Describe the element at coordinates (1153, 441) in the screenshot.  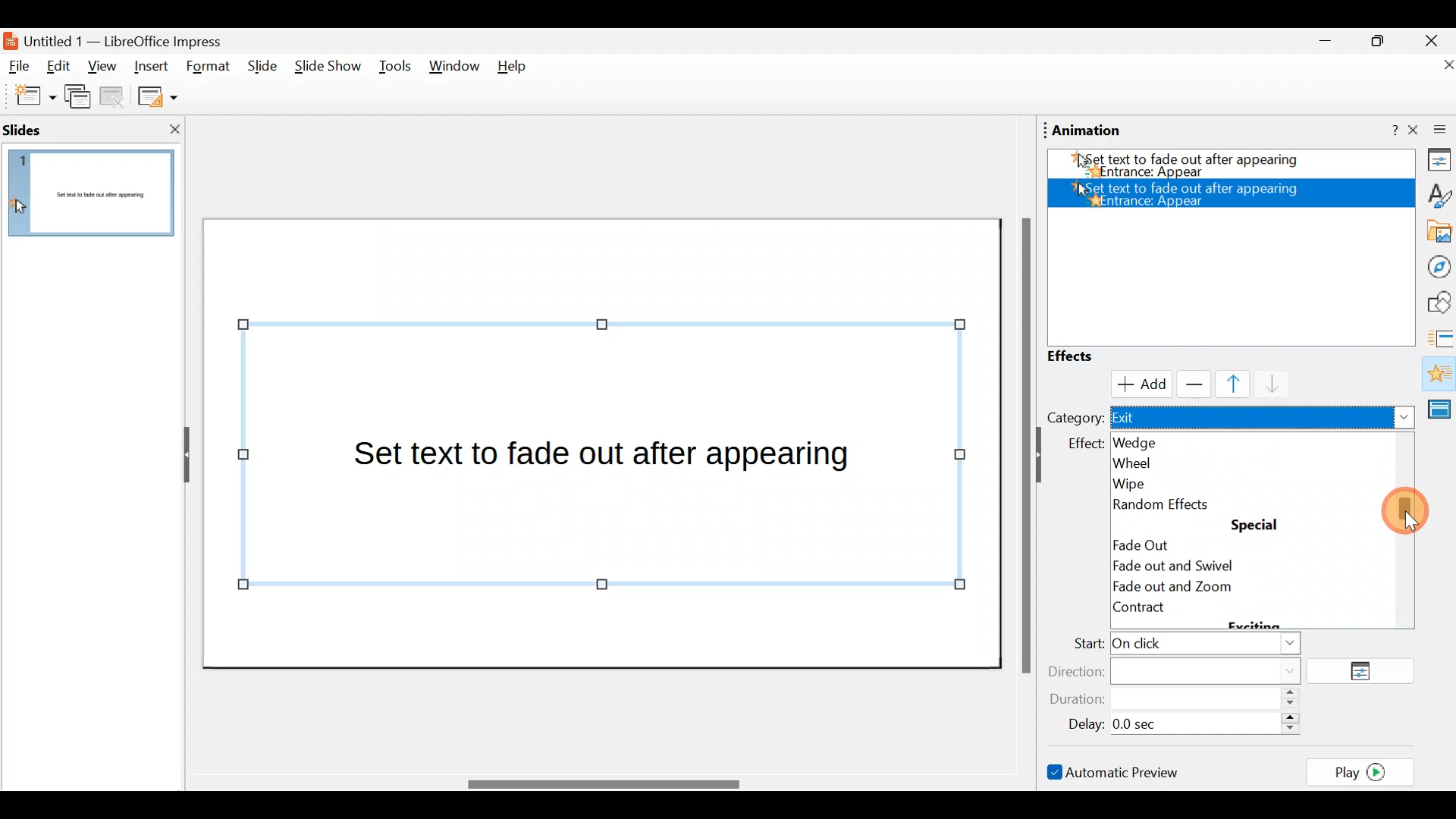
I see `Wedge` at that location.